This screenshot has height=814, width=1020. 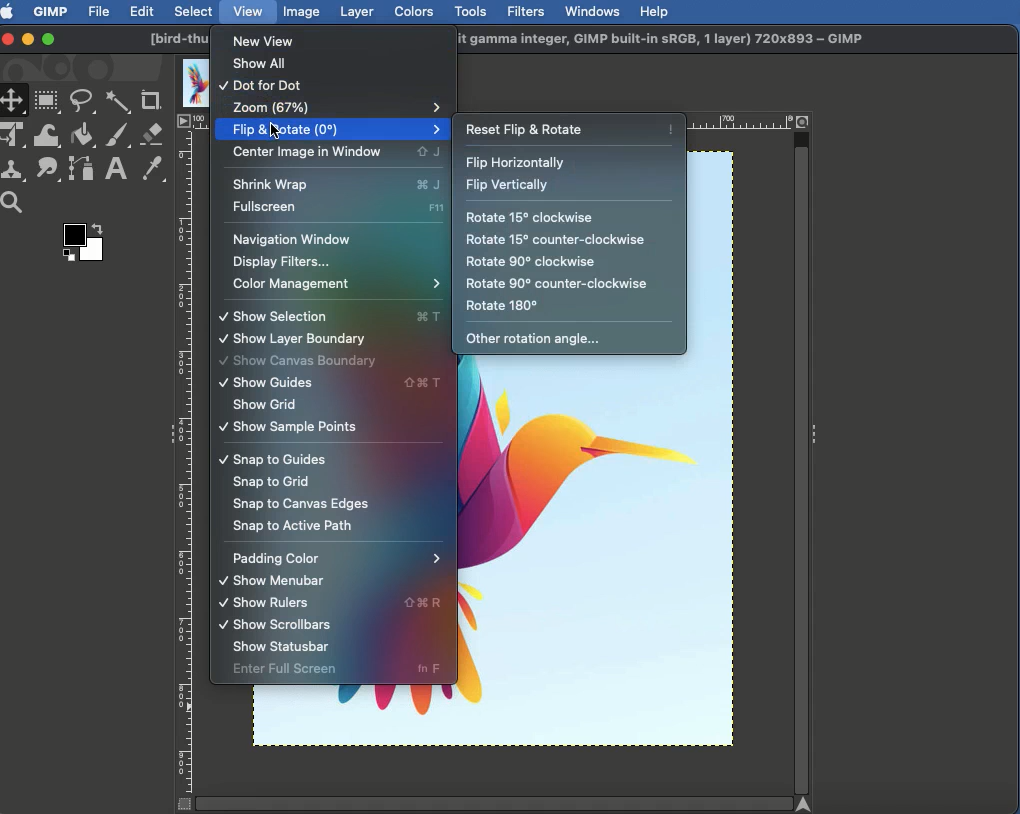 What do you see at coordinates (802, 462) in the screenshot?
I see `vertical Scrollbar` at bounding box center [802, 462].